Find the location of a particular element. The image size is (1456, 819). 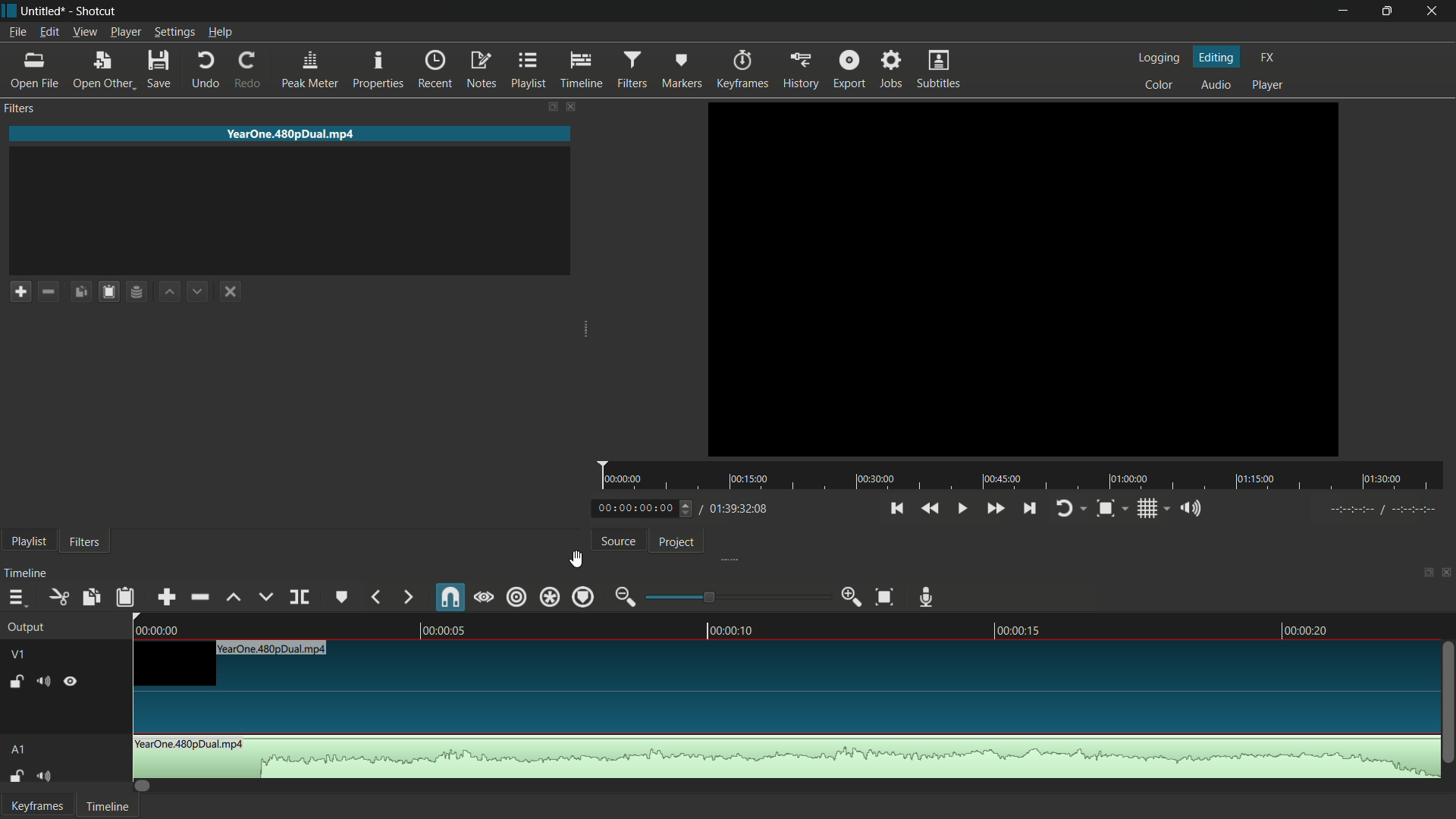

help menu is located at coordinates (222, 31).